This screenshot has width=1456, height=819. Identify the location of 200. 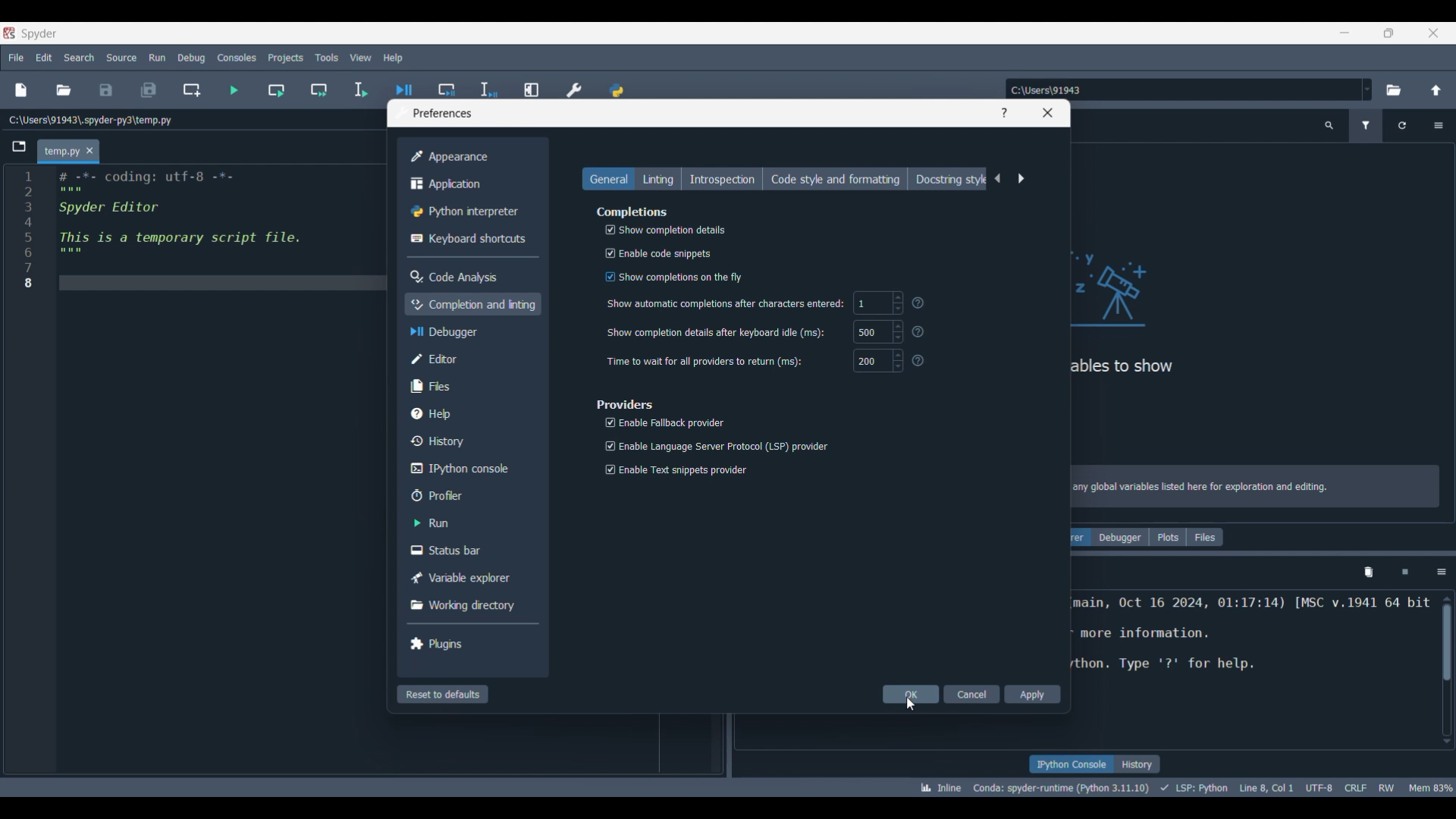
(877, 361).